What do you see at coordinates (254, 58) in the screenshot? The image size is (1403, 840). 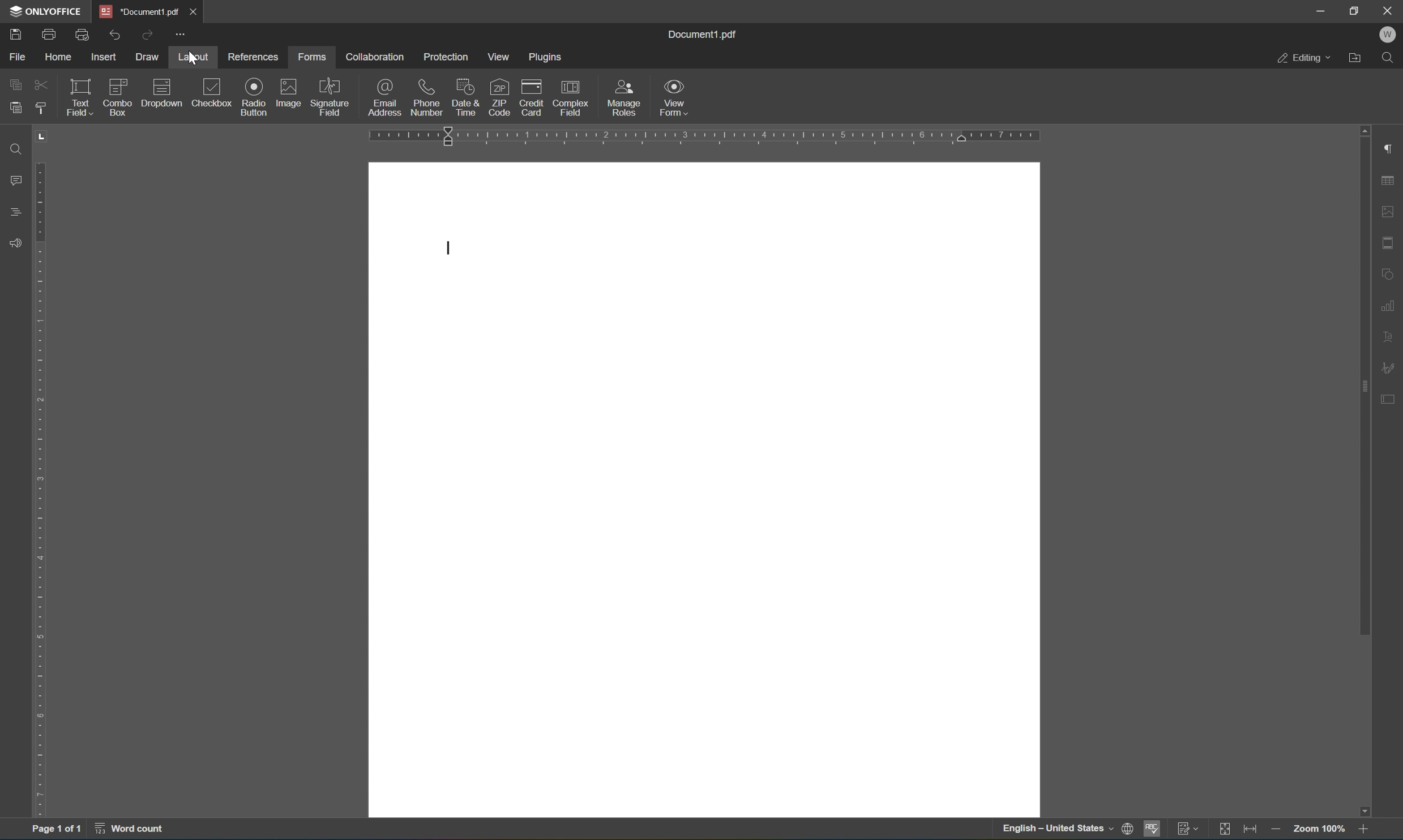 I see `references` at bounding box center [254, 58].